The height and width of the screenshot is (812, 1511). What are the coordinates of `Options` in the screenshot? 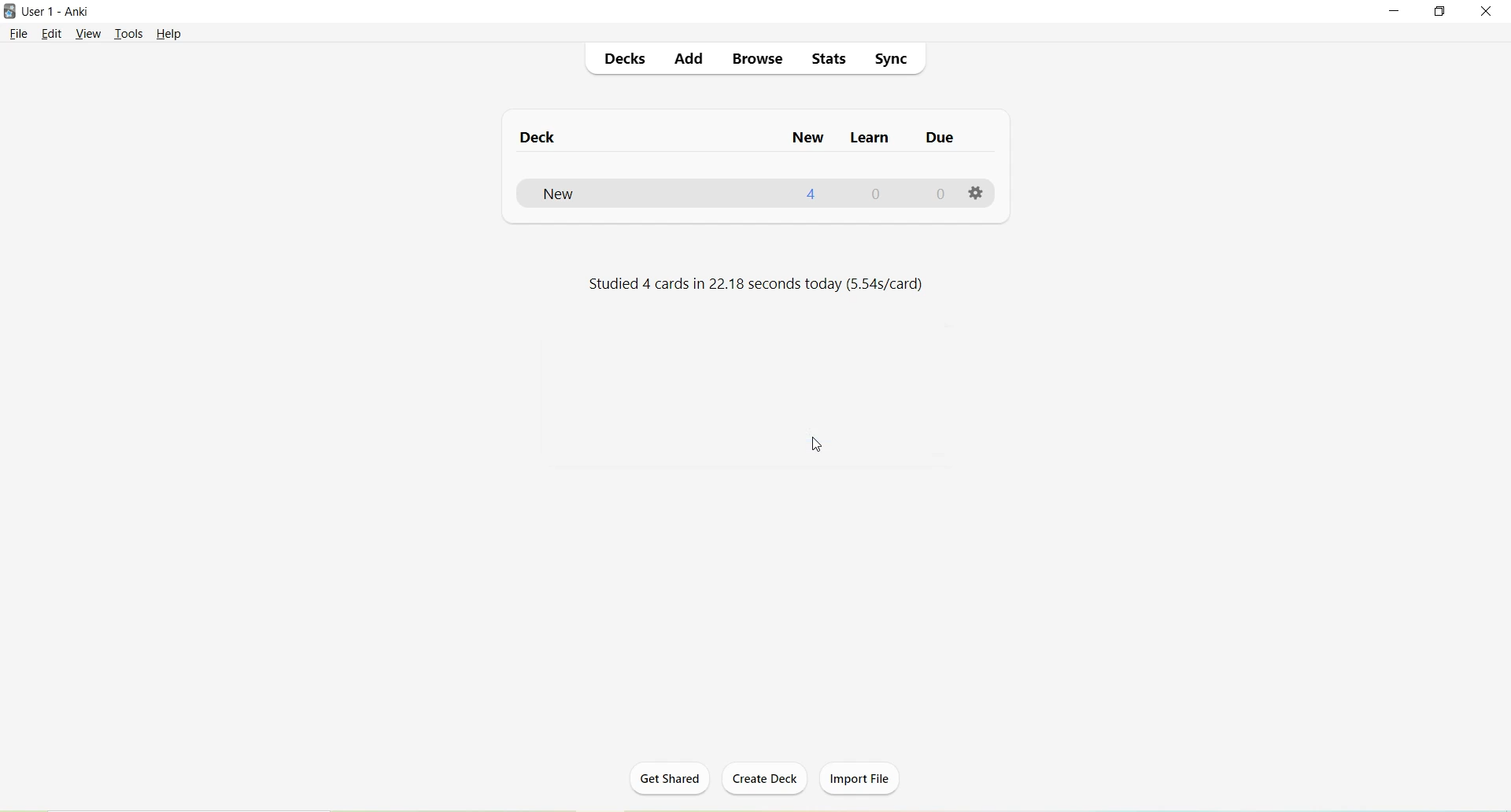 It's located at (979, 193).